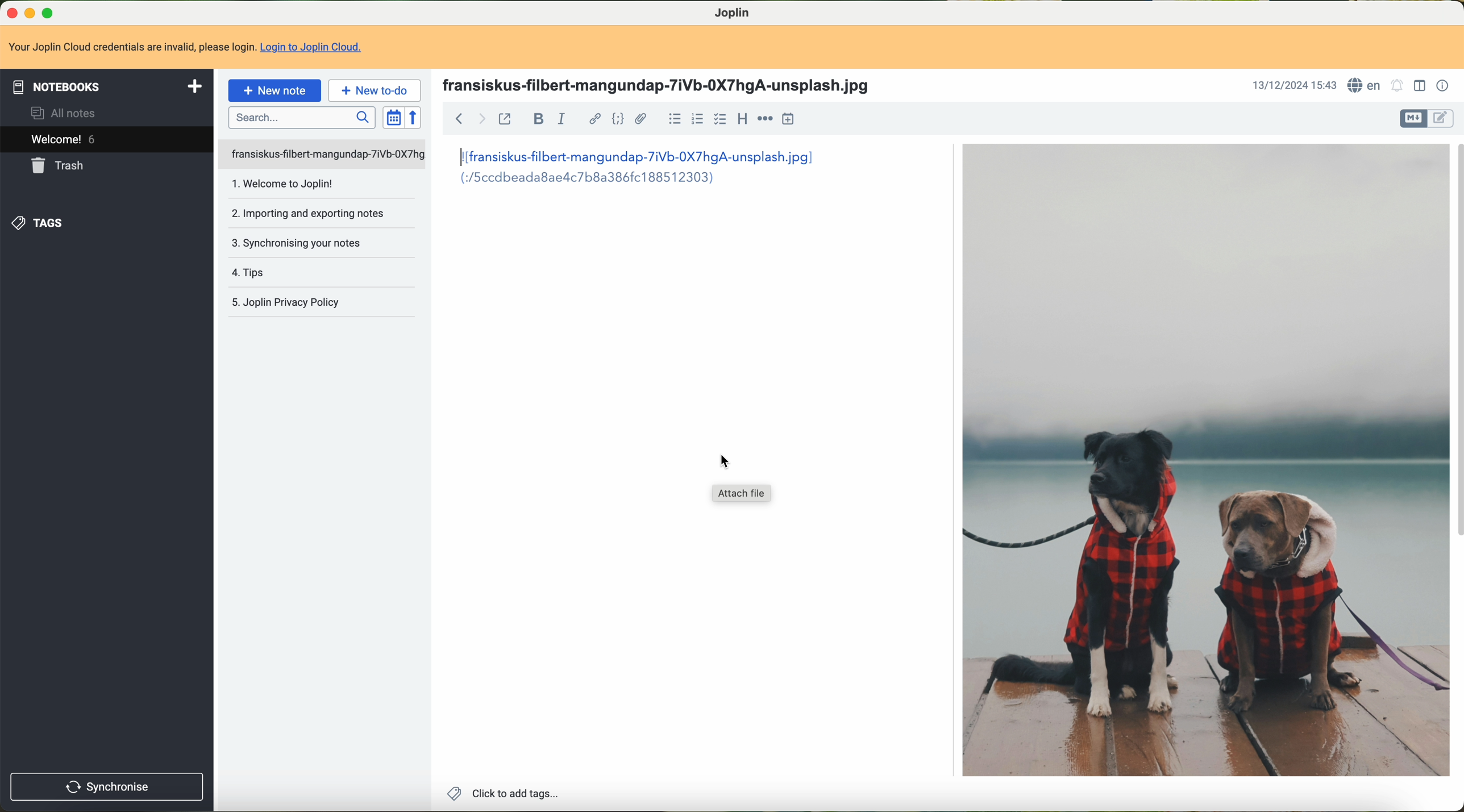 This screenshot has width=1464, height=812. I want to click on date and hour, so click(1292, 86).